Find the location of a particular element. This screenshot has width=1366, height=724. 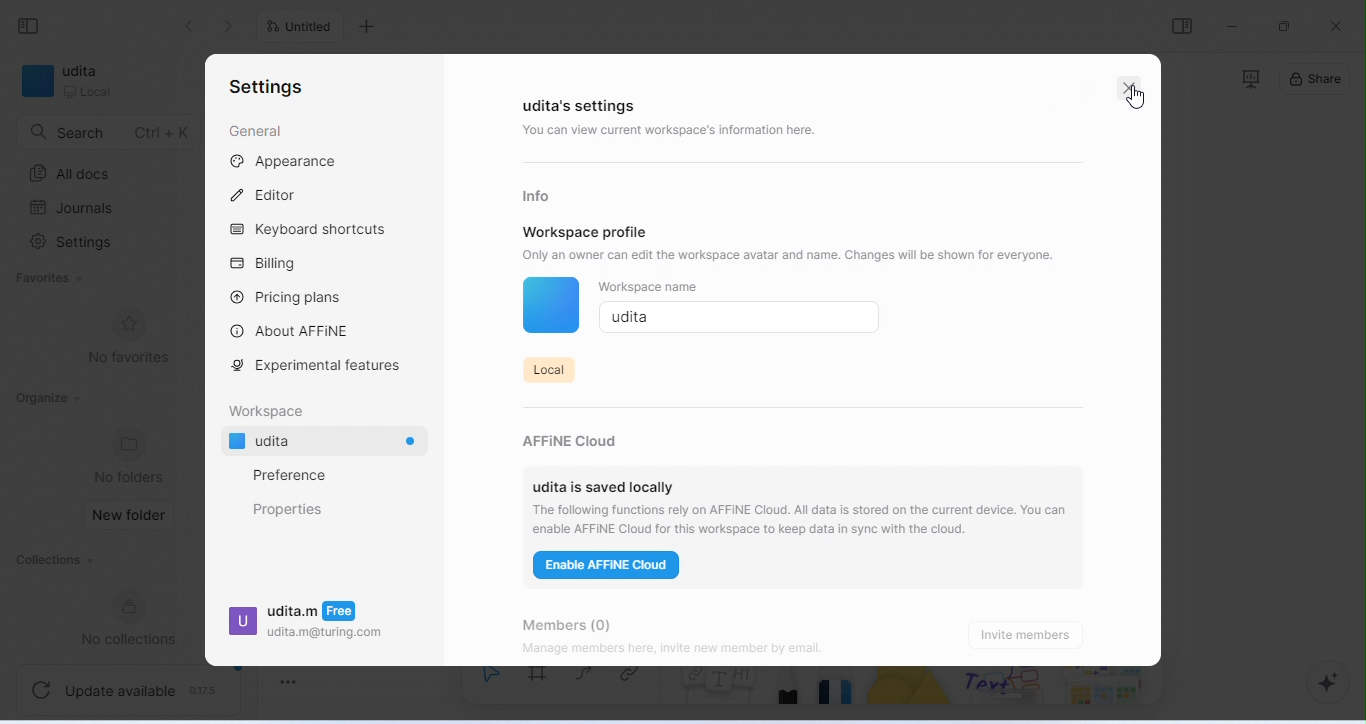

local is located at coordinates (547, 368).